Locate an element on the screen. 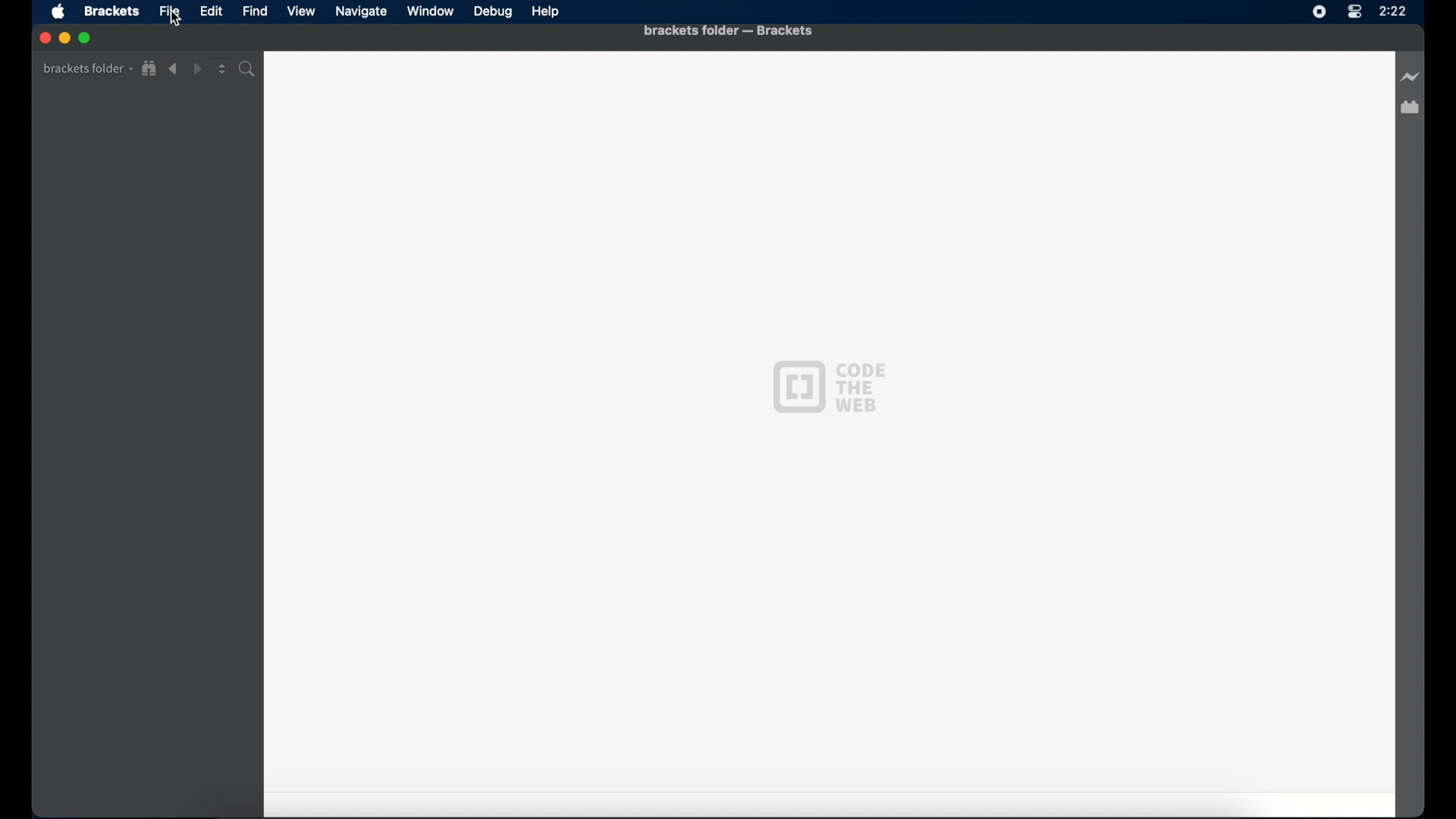  live preview is located at coordinates (1408, 77).